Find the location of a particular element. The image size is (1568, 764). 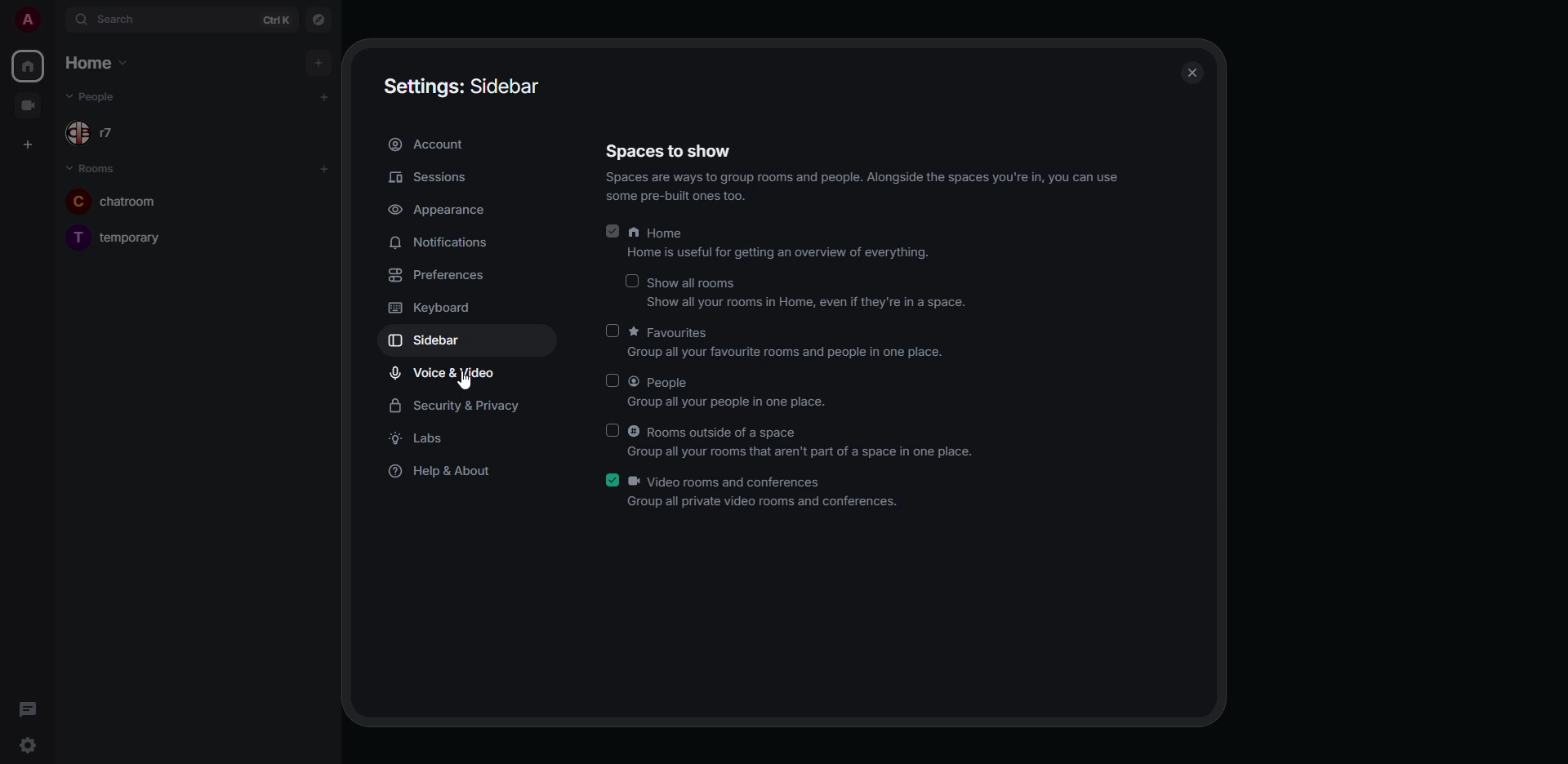

preferences is located at coordinates (436, 277).